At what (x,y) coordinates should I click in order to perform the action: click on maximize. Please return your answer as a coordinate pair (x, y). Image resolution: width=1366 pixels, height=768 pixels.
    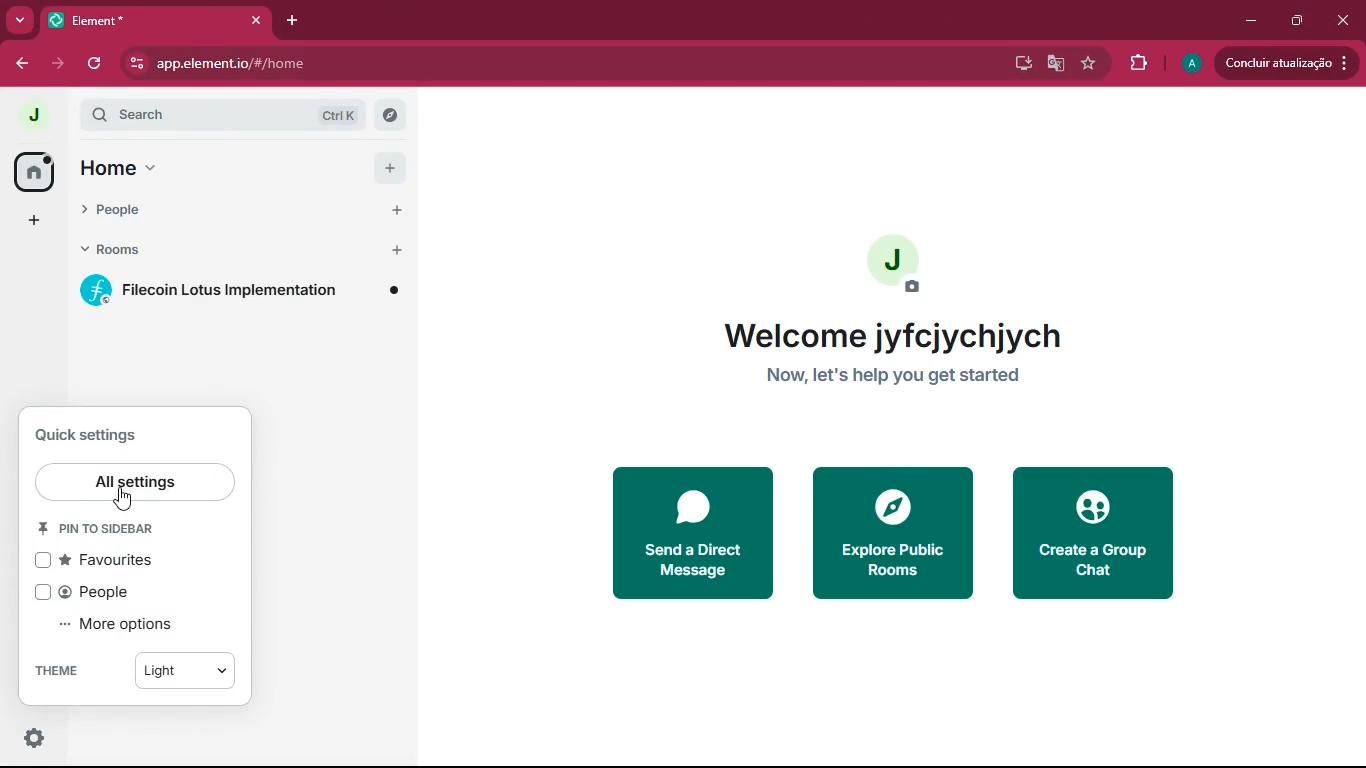
    Looking at the image, I should click on (1301, 19).